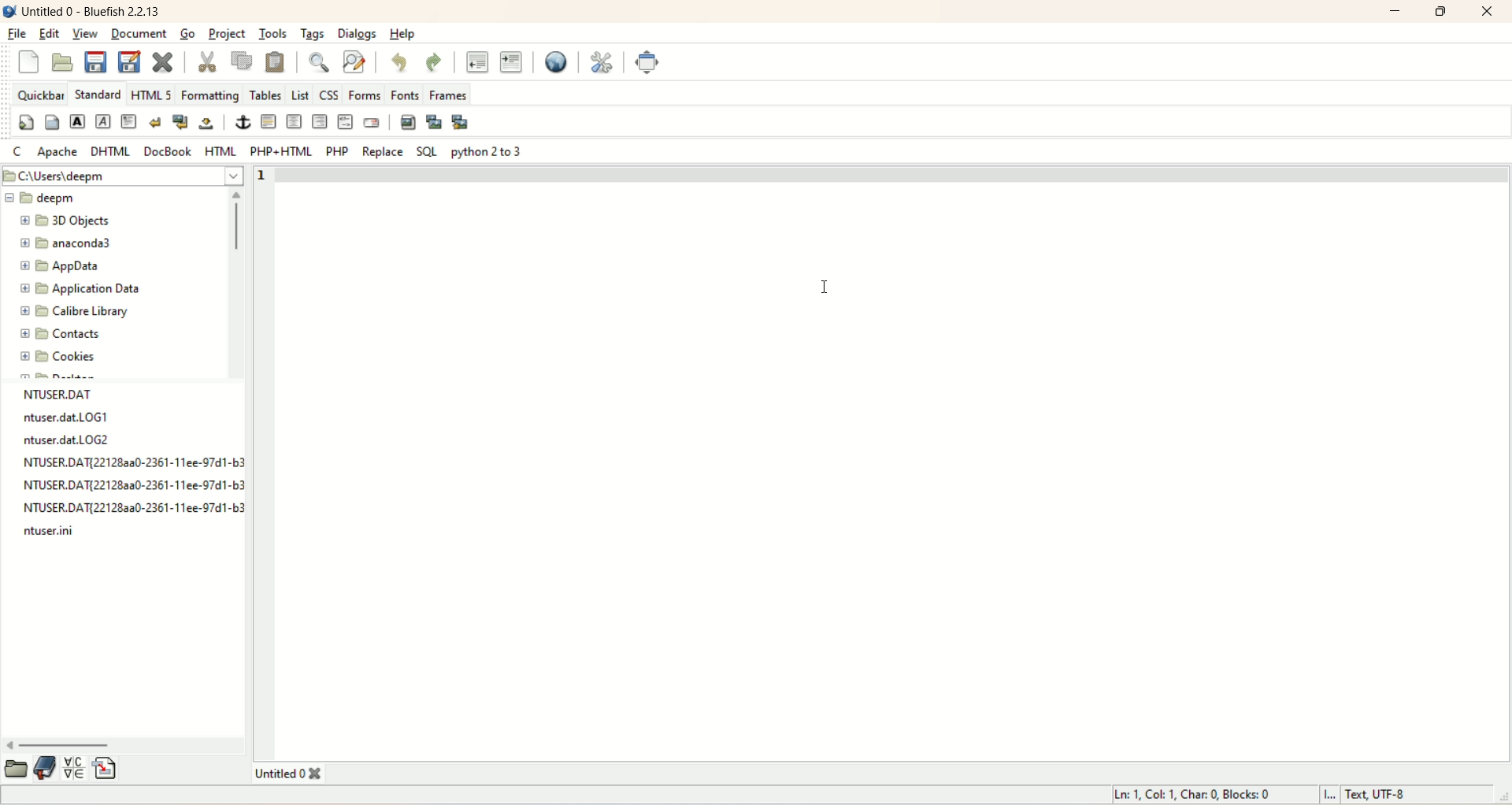 The image size is (1512, 805). What do you see at coordinates (154, 123) in the screenshot?
I see `break` at bounding box center [154, 123].